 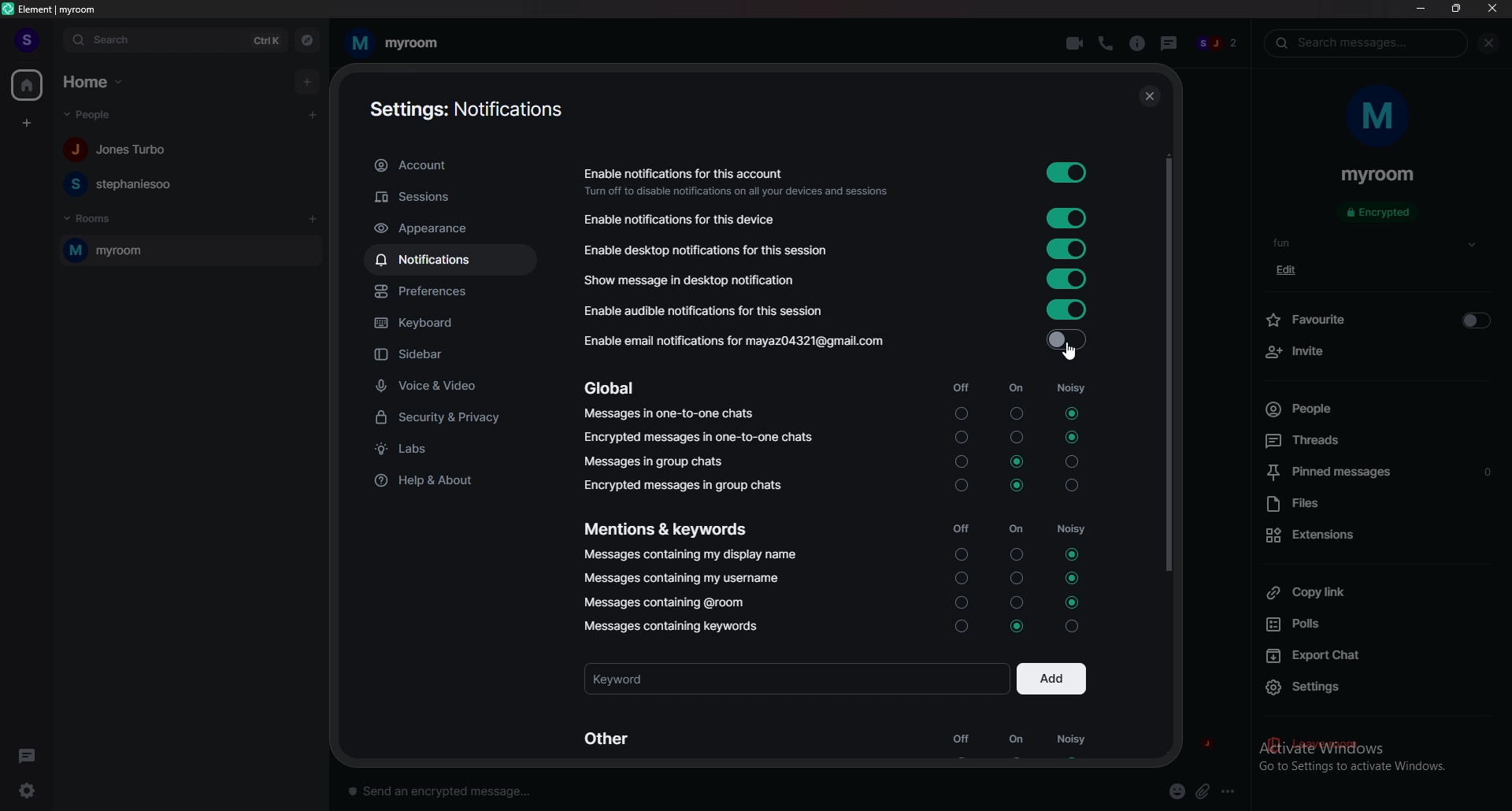 What do you see at coordinates (1367, 409) in the screenshot?
I see `people` at bounding box center [1367, 409].